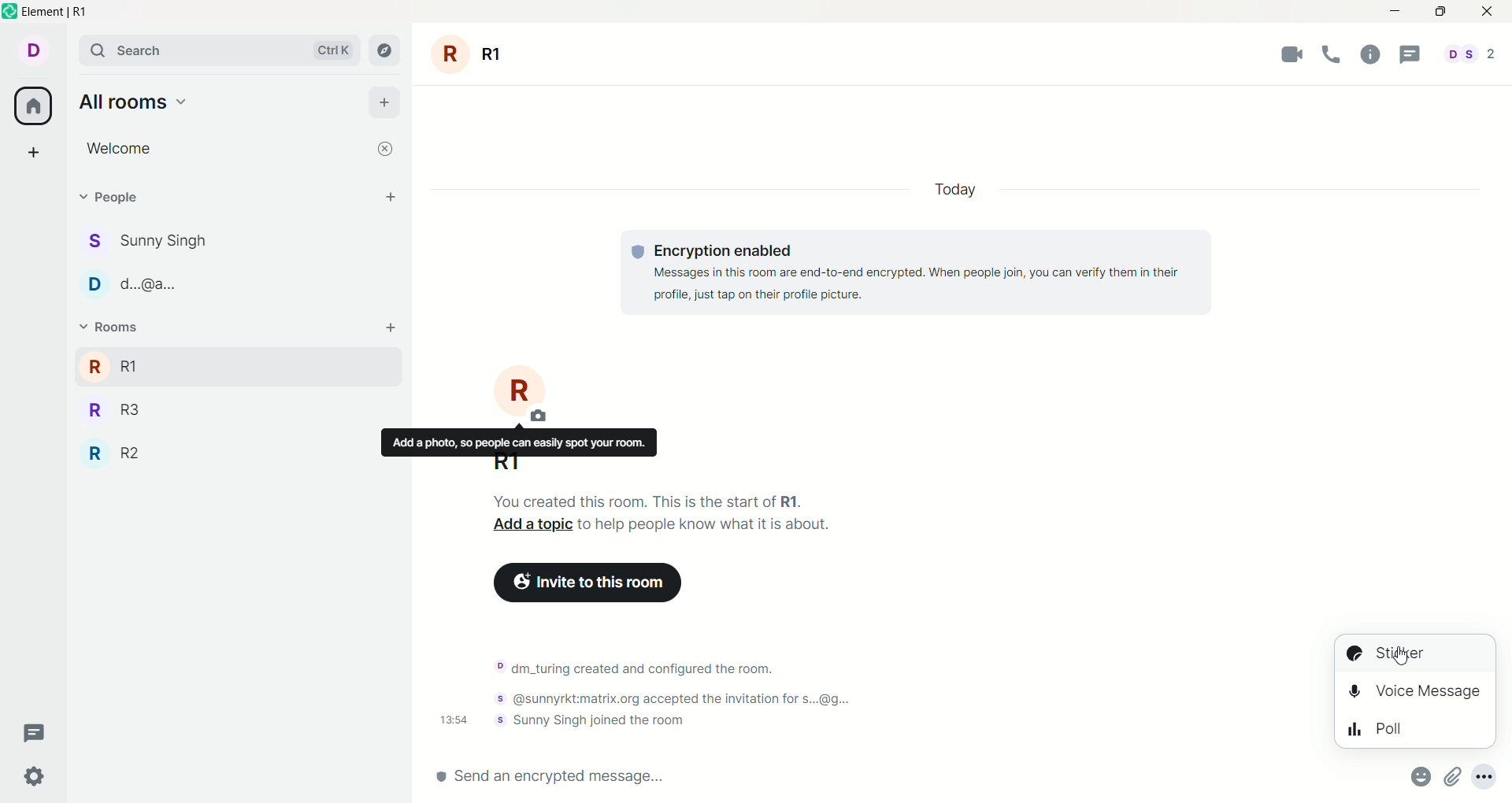  I want to click on explore rooms, so click(385, 50).